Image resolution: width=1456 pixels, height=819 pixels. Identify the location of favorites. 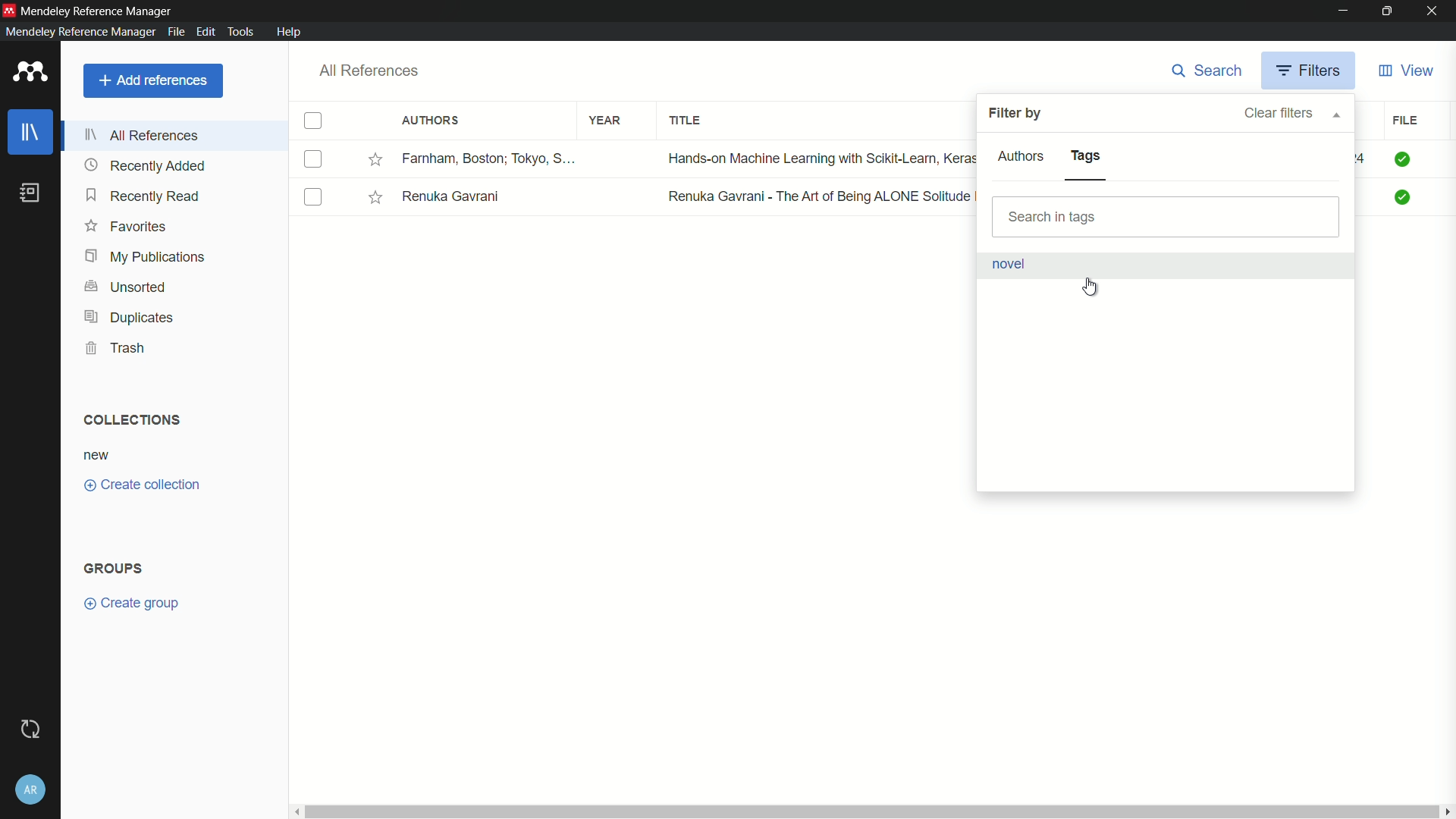
(127, 227).